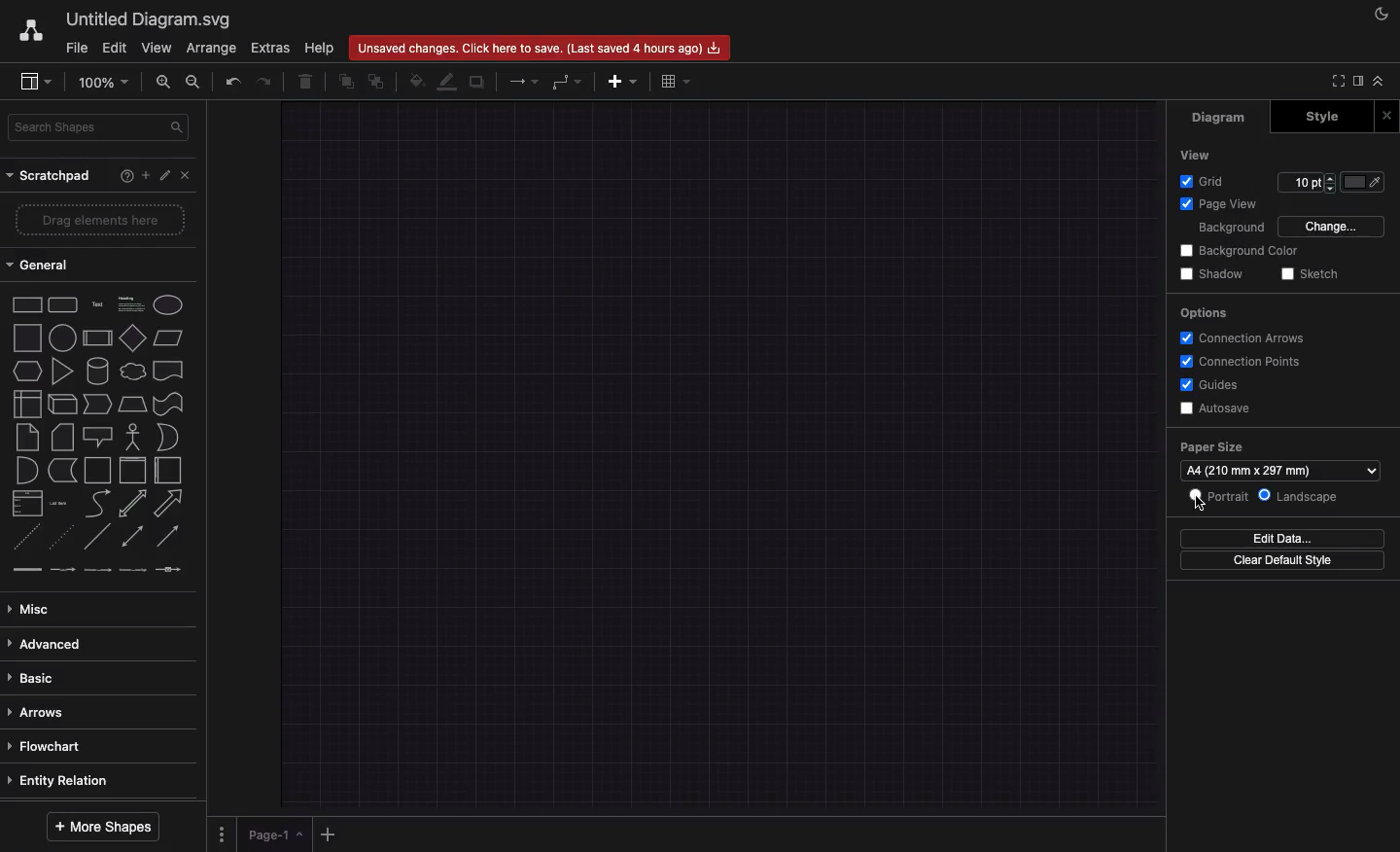 The width and height of the screenshot is (1400, 852). I want to click on Entity relation, so click(79, 781).